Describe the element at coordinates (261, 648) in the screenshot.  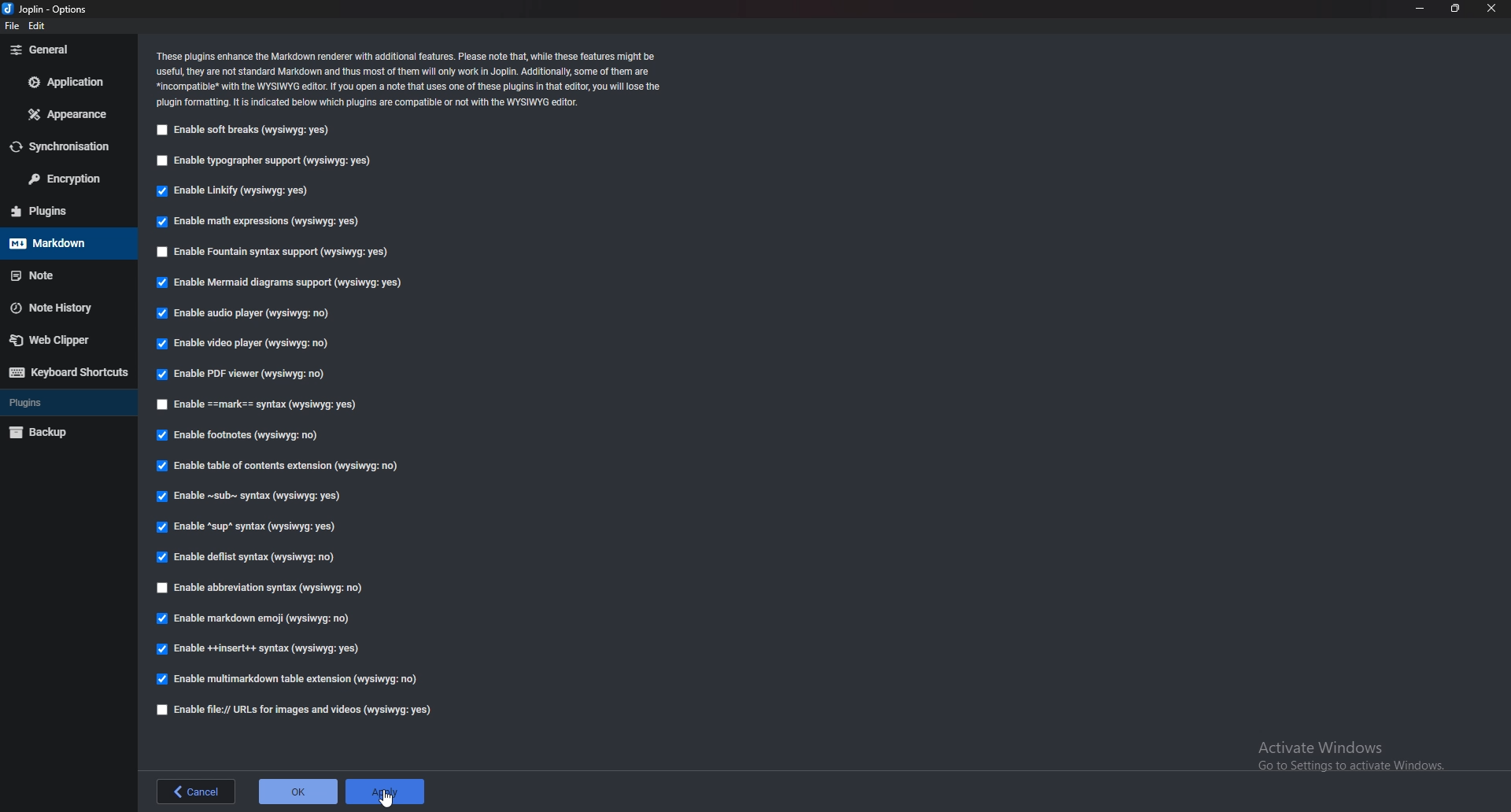
I see `Enable insert syntax` at that location.